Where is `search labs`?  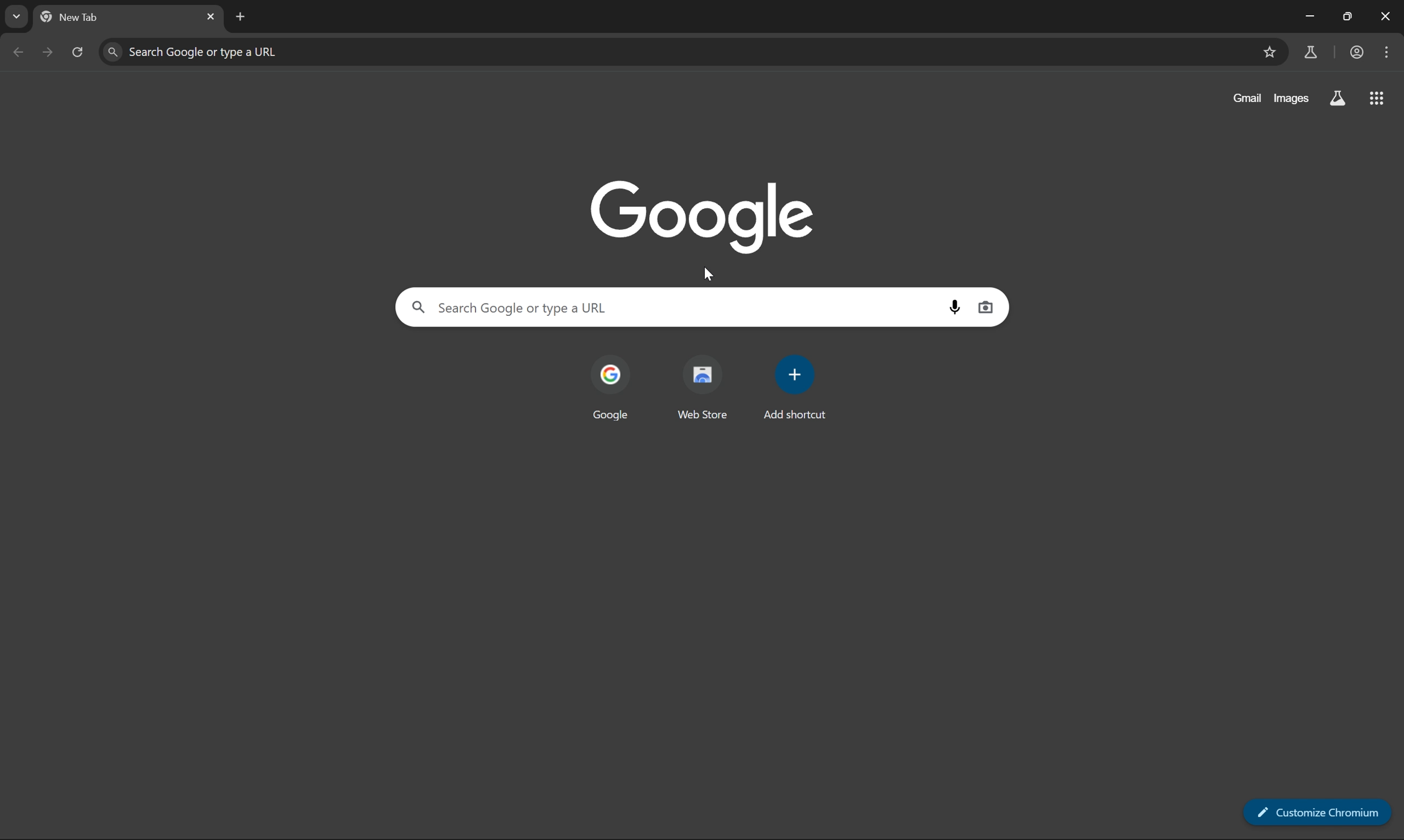 search labs is located at coordinates (1338, 98).